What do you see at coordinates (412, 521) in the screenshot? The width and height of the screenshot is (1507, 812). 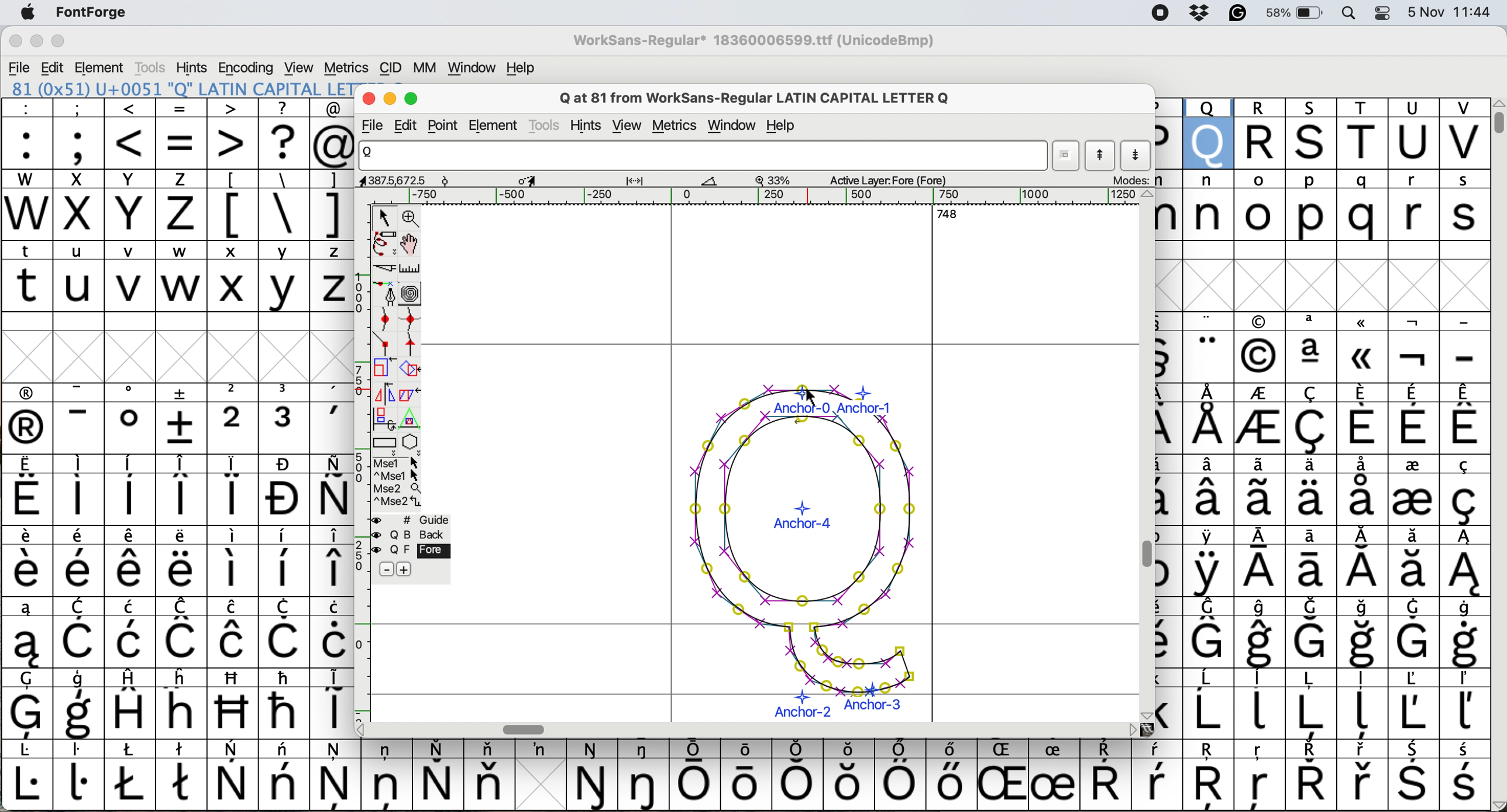 I see `guide` at bounding box center [412, 521].